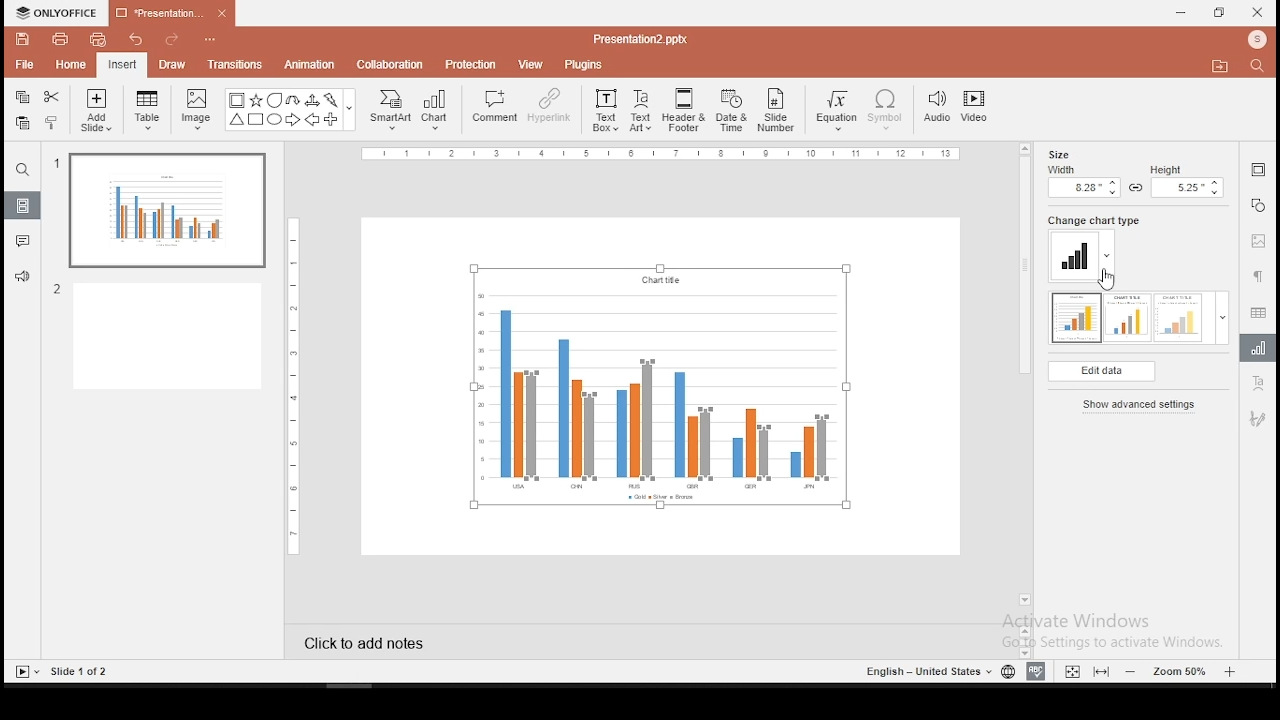  What do you see at coordinates (391, 65) in the screenshot?
I see `collaboration` at bounding box center [391, 65].